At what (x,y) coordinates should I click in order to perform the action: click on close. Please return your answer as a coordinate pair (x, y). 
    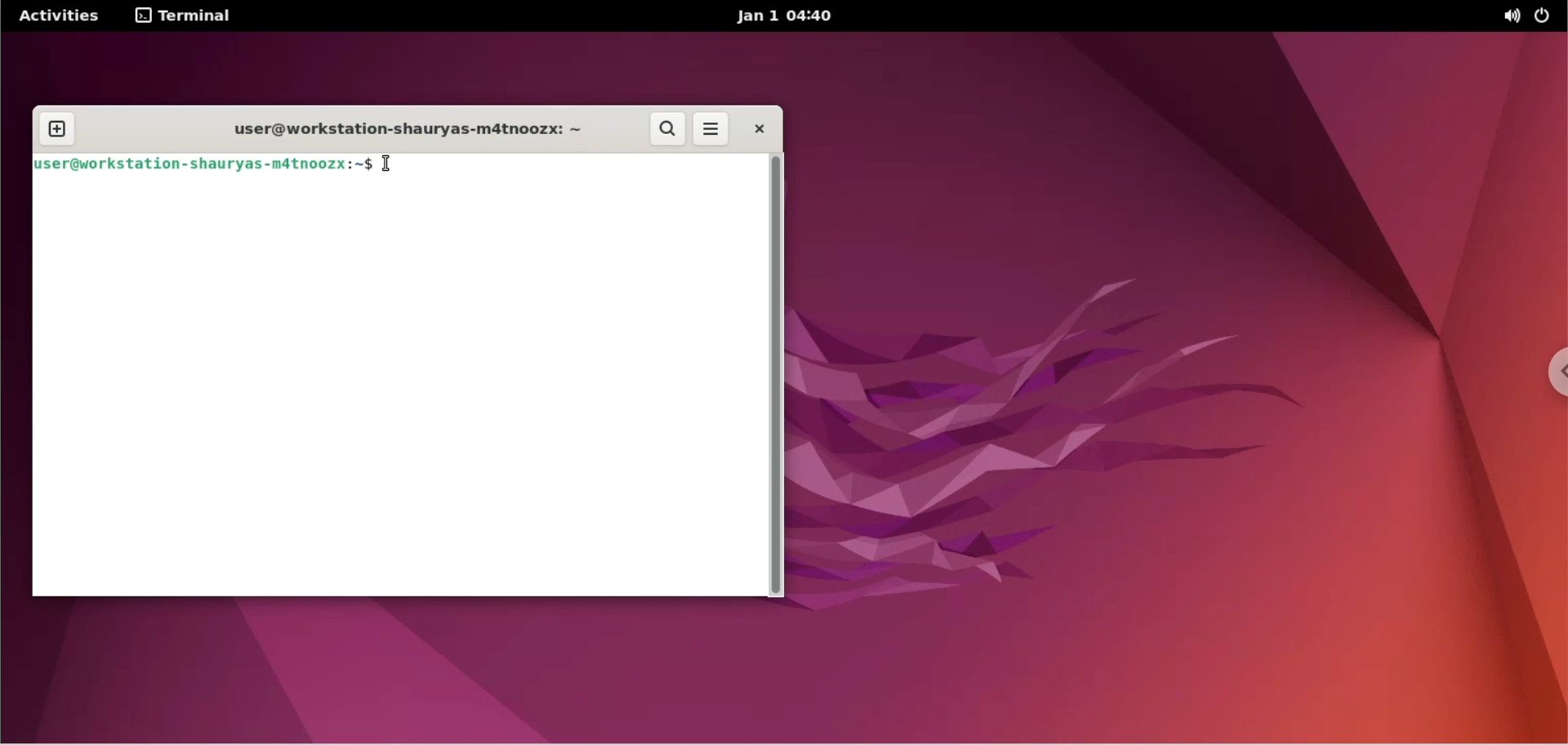
    Looking at the image, I should click on (759, 128).